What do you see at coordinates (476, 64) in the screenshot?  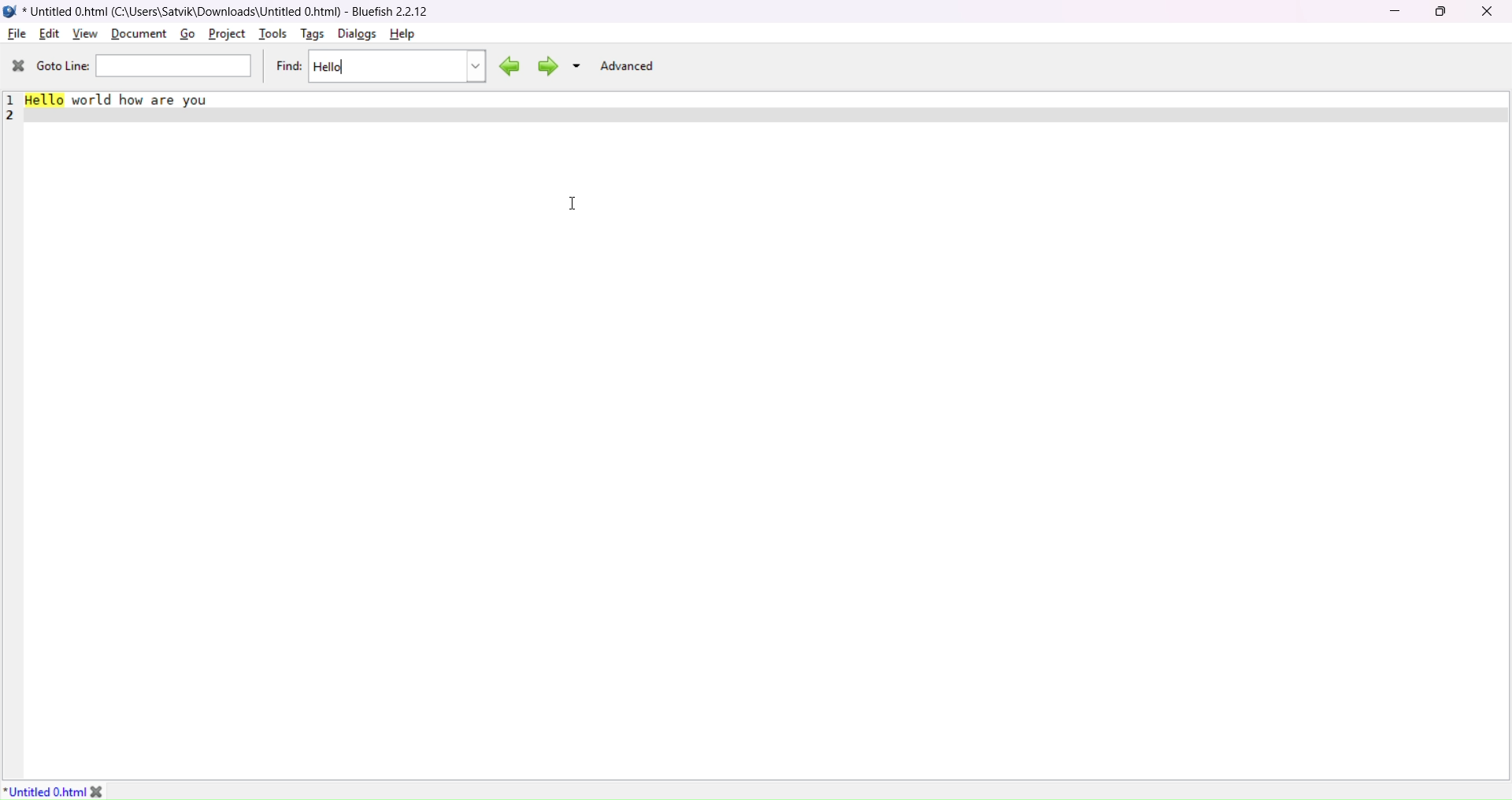 I see `find dropdown` at bounding box center [476, 64].